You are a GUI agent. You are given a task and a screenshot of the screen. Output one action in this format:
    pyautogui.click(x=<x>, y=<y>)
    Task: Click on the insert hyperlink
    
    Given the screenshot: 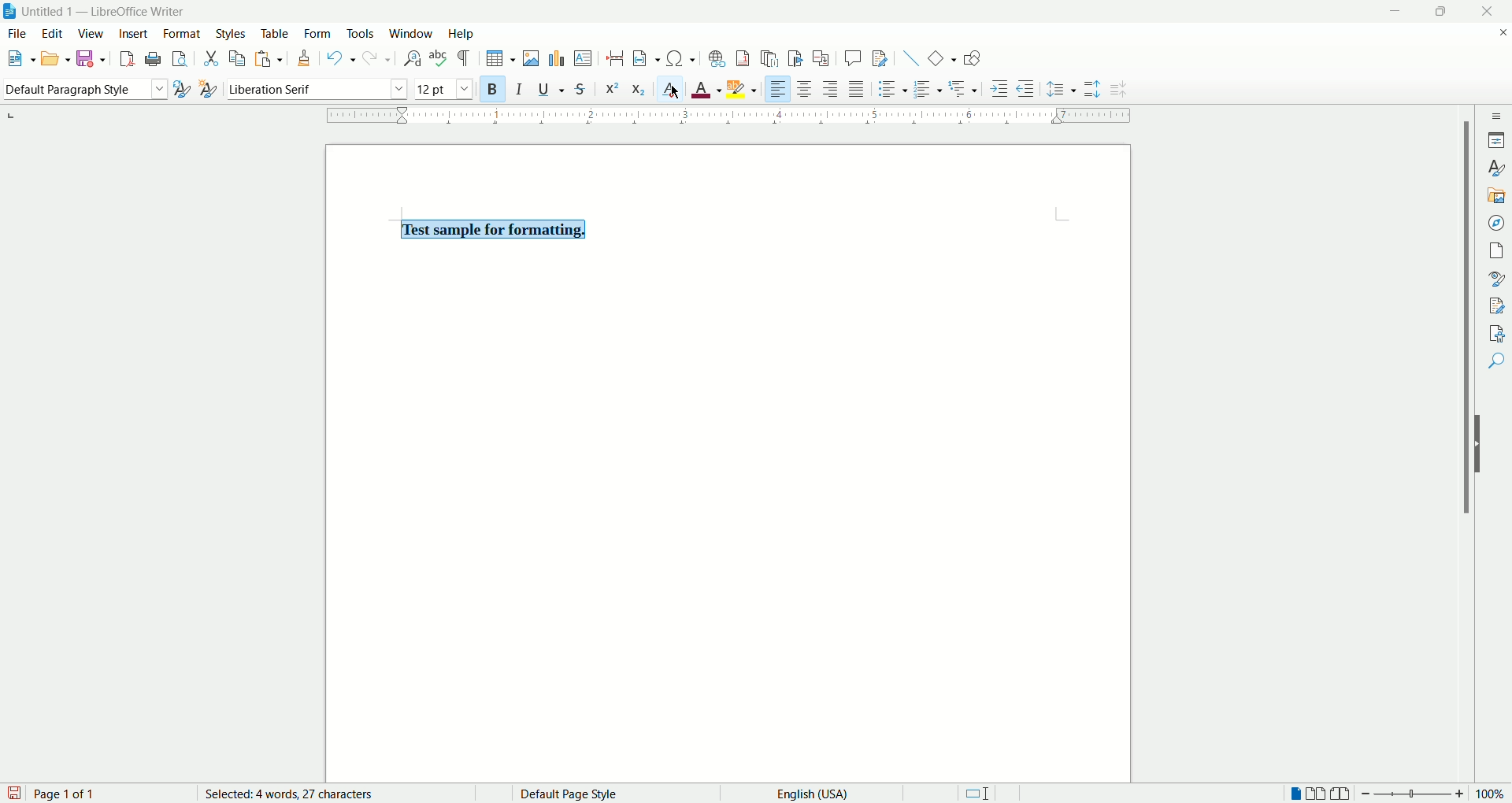 What is the action you would take?
    pyautogui.click(x=715, y=57)
    